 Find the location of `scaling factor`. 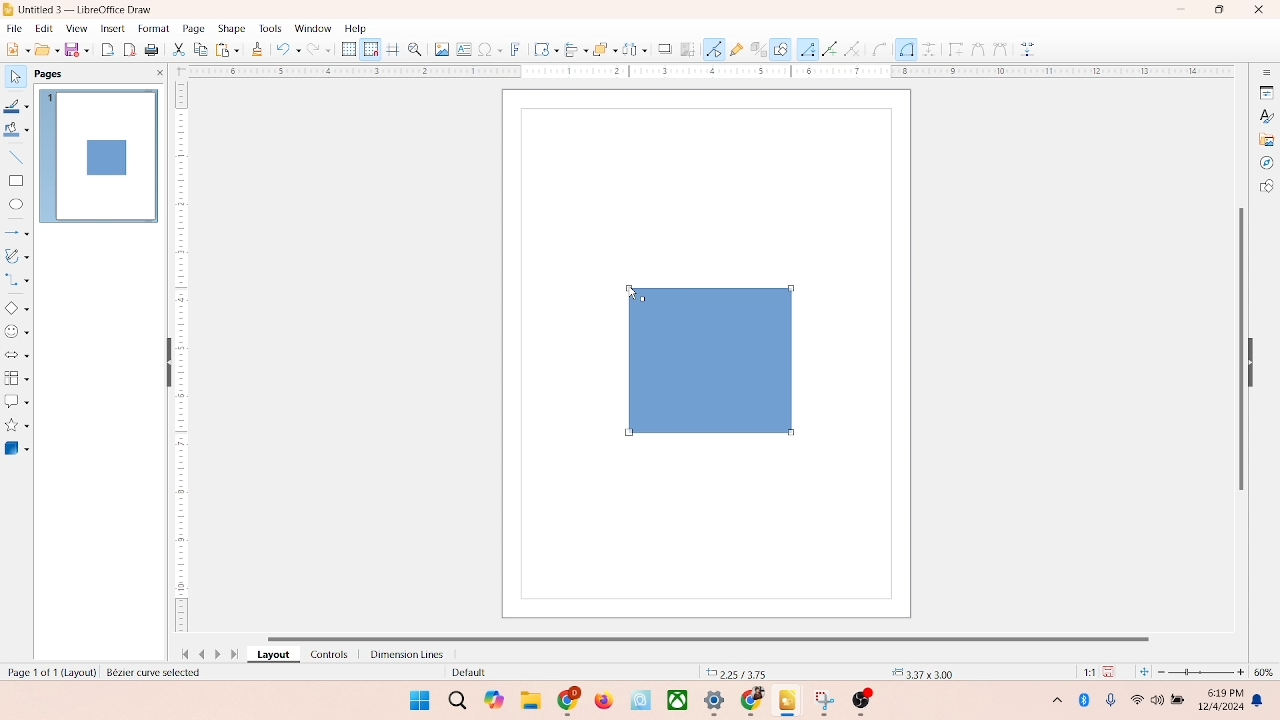

scaling factor is located at coordinates (1084, 672).